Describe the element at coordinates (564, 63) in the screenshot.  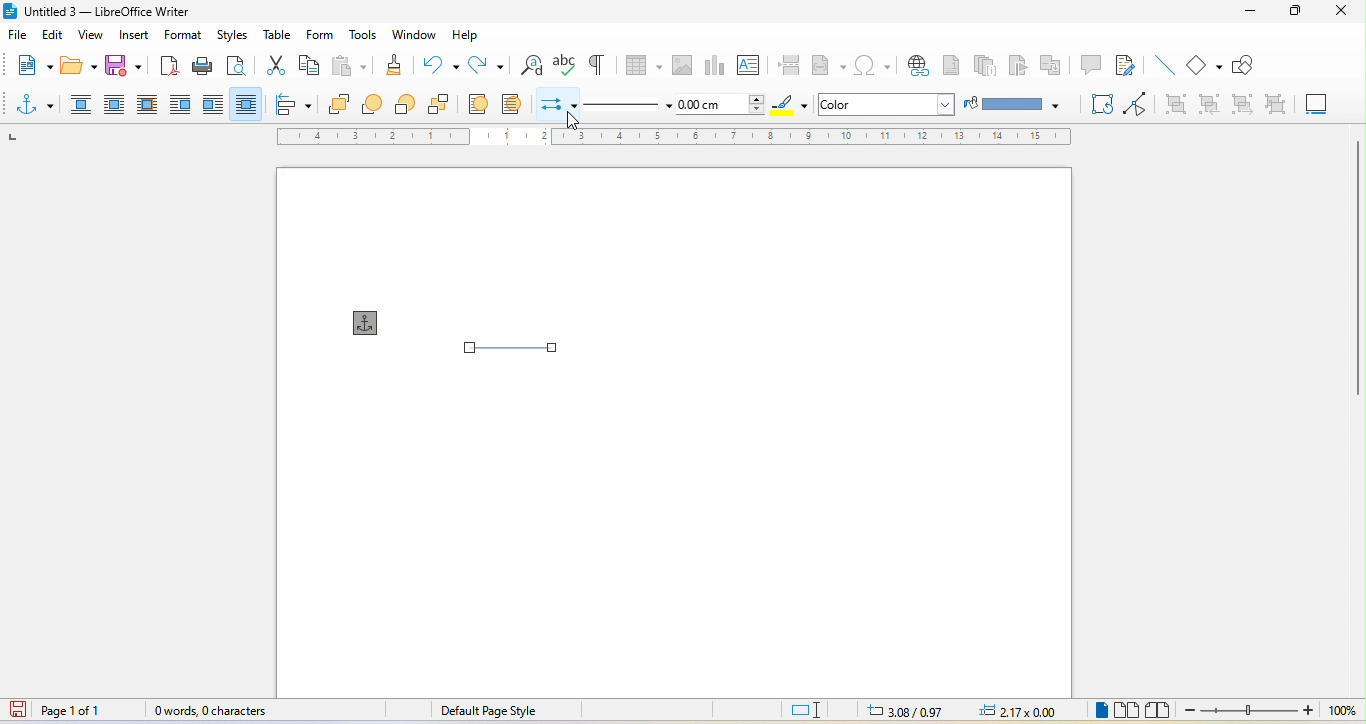
I see `spelling` at that location.